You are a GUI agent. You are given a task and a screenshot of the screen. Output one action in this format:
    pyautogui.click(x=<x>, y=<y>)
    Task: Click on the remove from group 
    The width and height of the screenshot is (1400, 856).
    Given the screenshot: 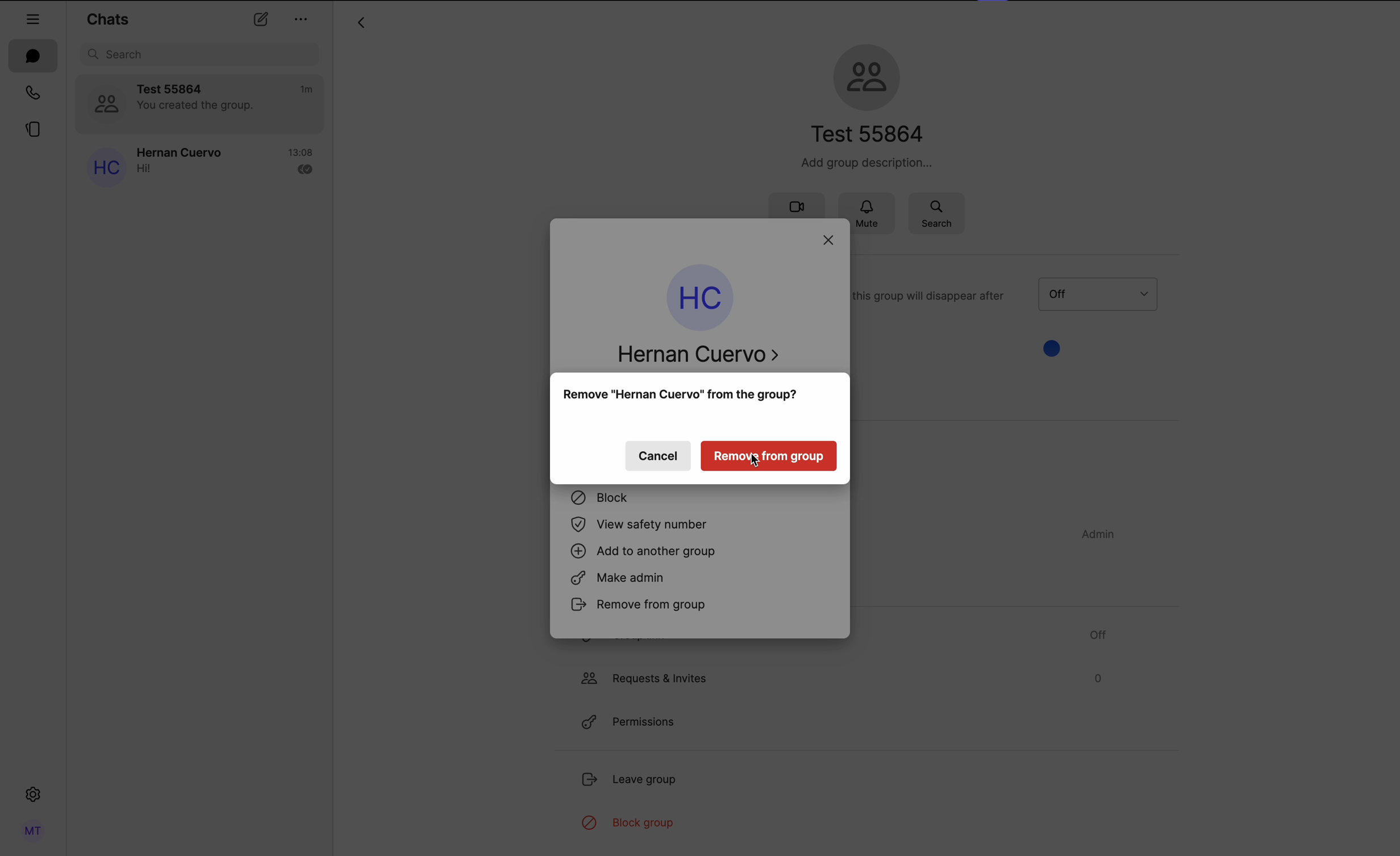 What is the action you would take?
    pyautogui.click(x=768, y=454)
    